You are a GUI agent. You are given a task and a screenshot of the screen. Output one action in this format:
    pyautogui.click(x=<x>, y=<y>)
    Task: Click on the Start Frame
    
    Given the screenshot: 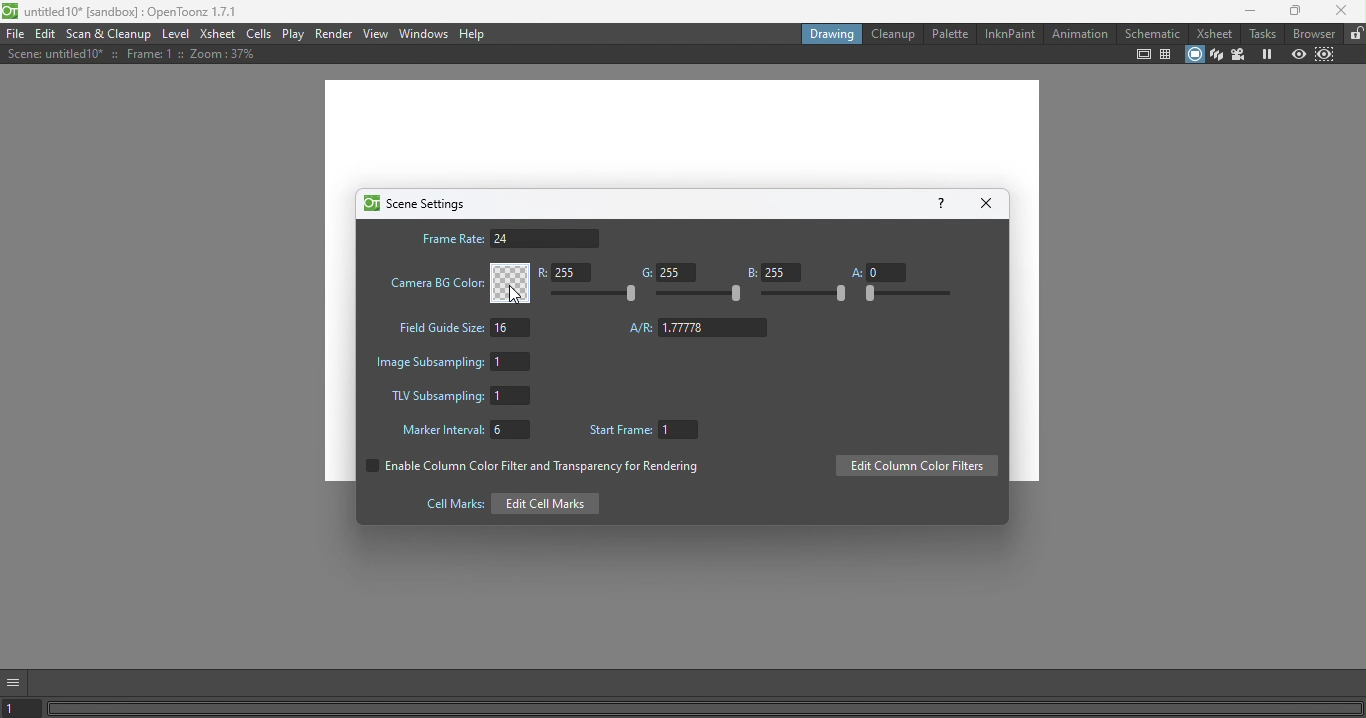 What is the action you would take?
    pyautogui.click(x=648, y=431)
    